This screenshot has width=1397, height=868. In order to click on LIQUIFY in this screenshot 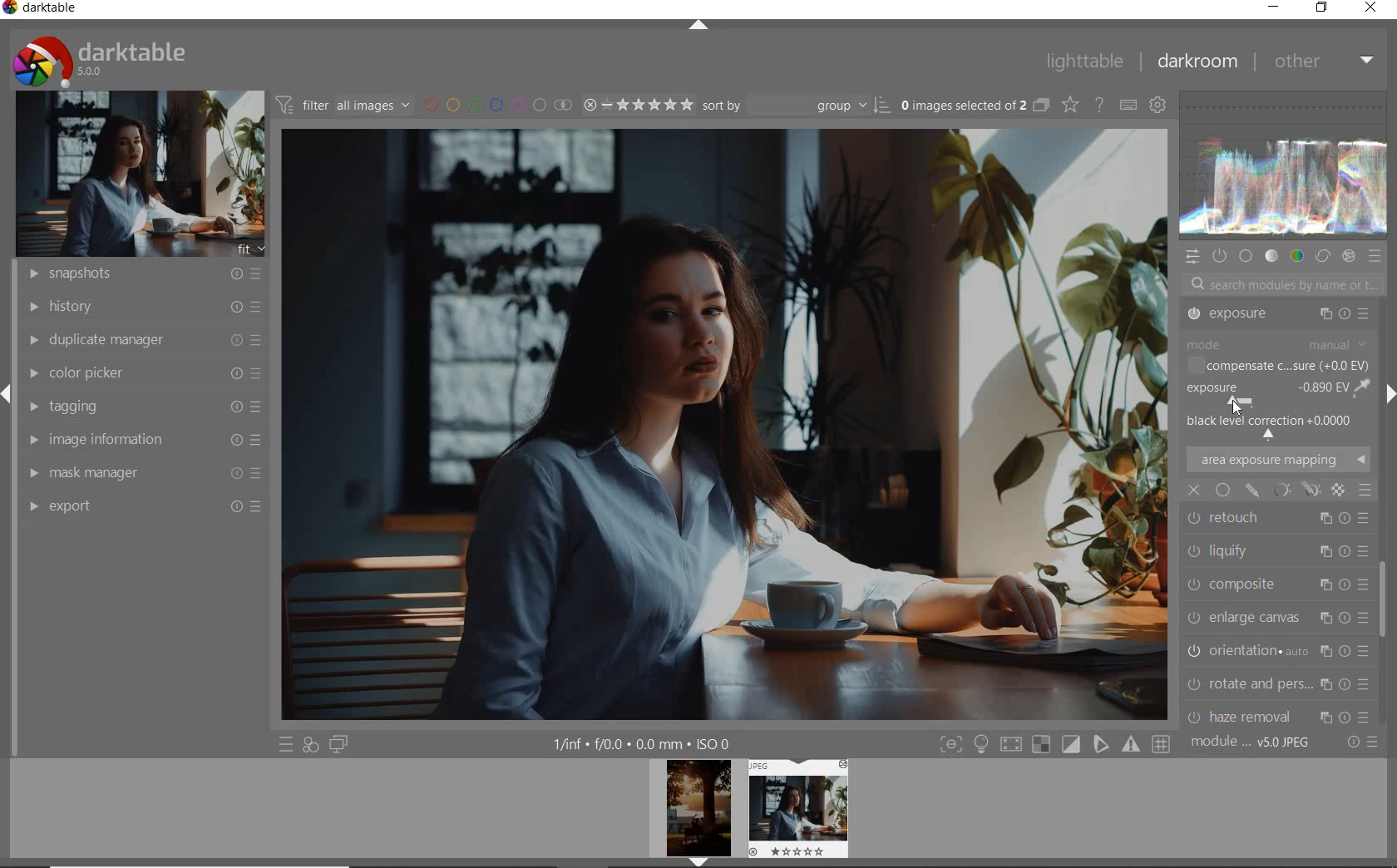, I will do `click(1274, 457)`.